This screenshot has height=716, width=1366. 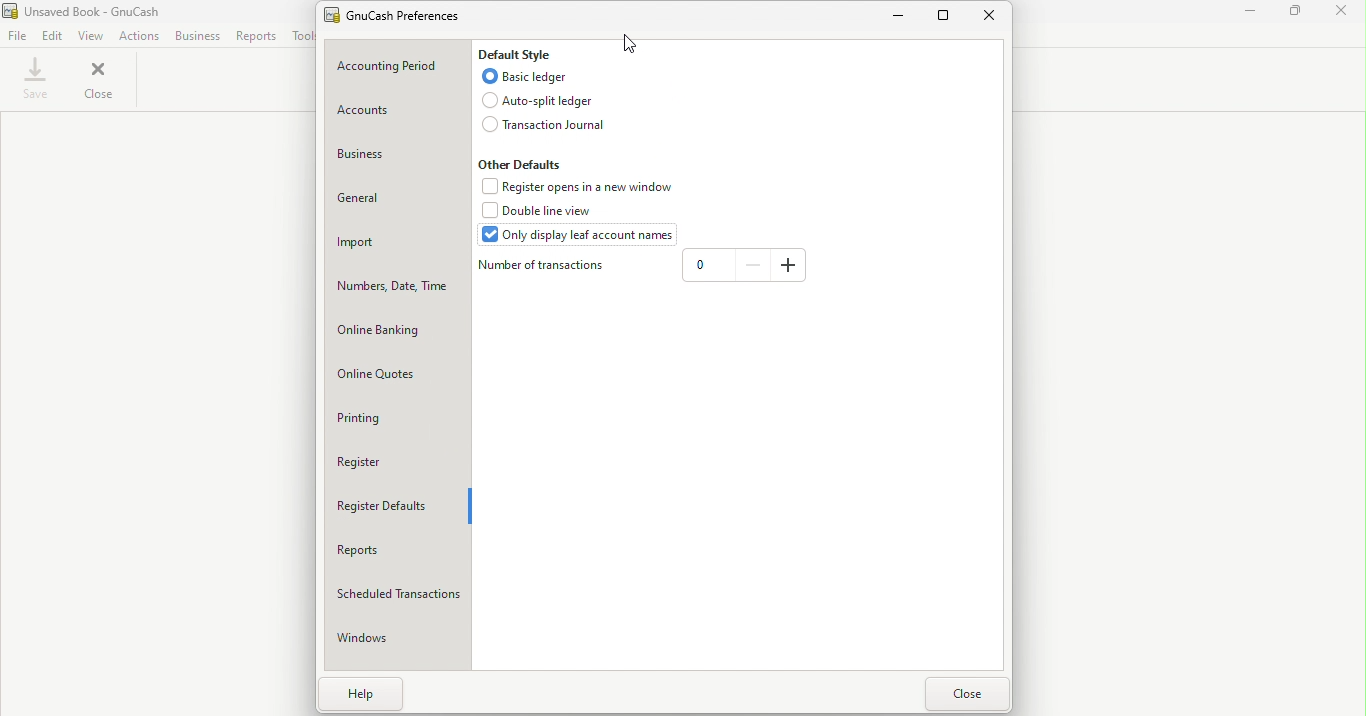 What do you see at coordinates (789, 266) in the screenshot?
I see `Add number` at bounding box center [789, 266].